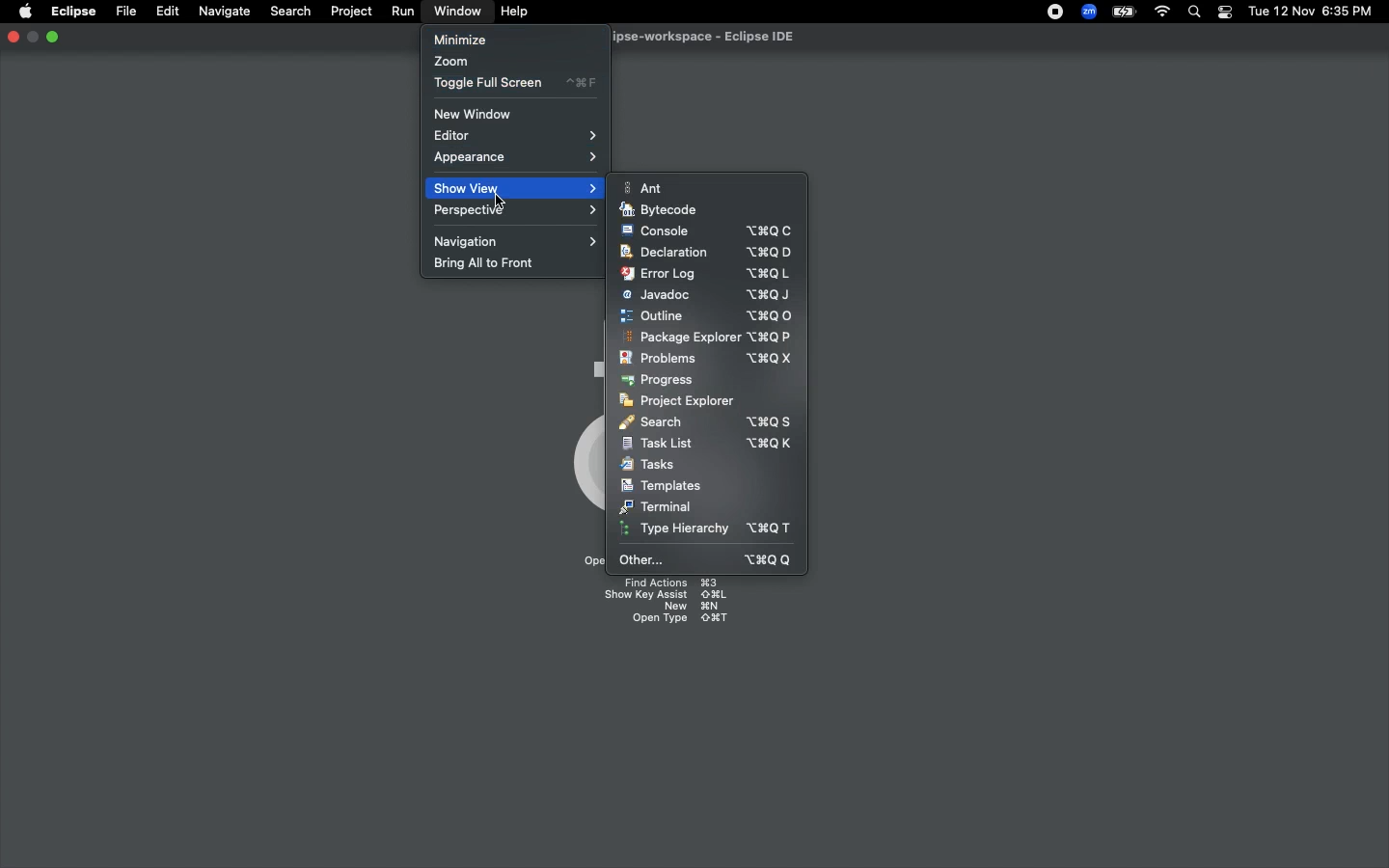  What do you see at coordinates (12, 39) in the screenshot?
I see `Close` at bounding box center [12, 39].